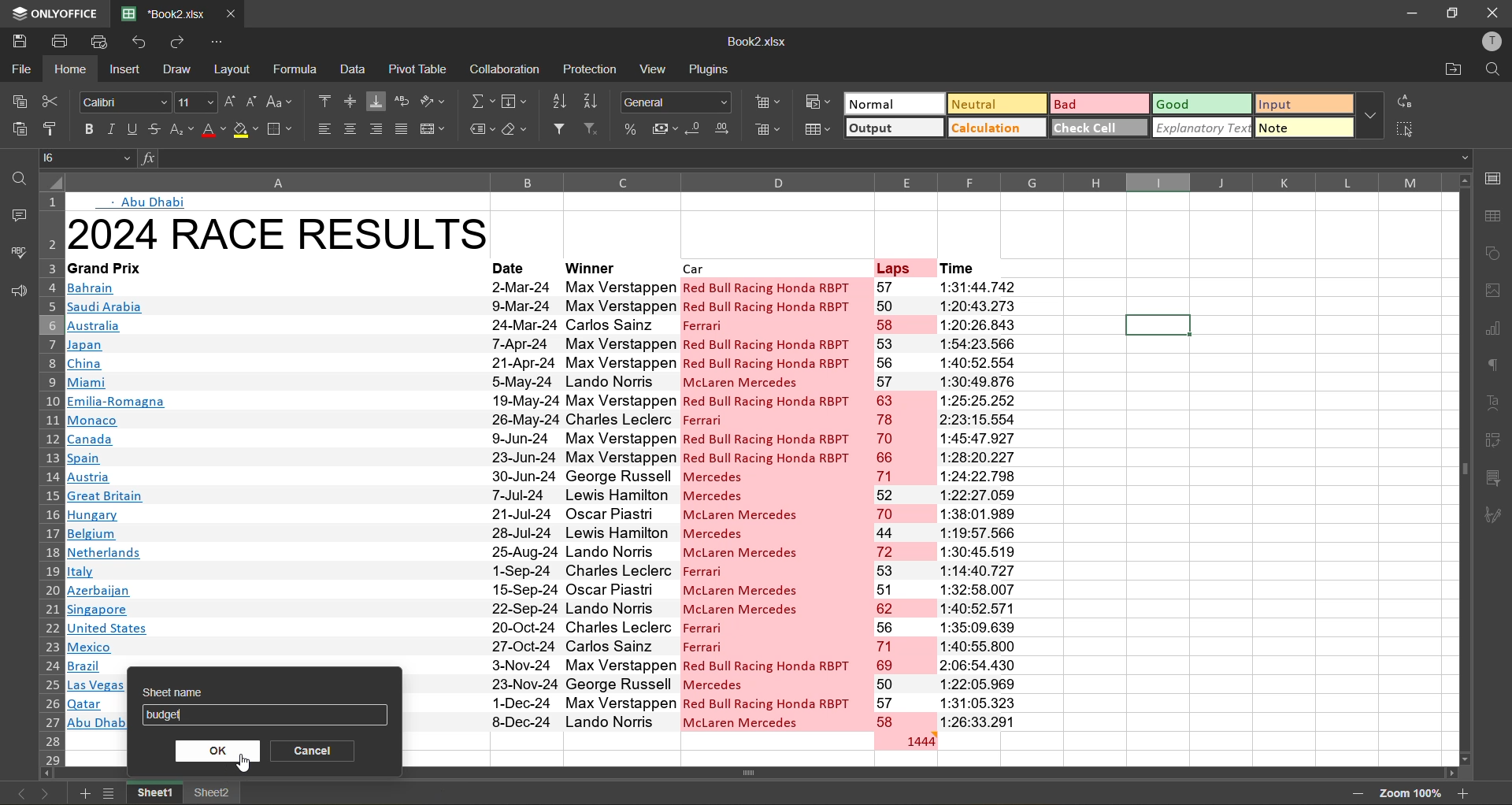  What do you see at coordinates (123, 100) in the screenshot?
I see `font style` at bounding box center [123, 100].